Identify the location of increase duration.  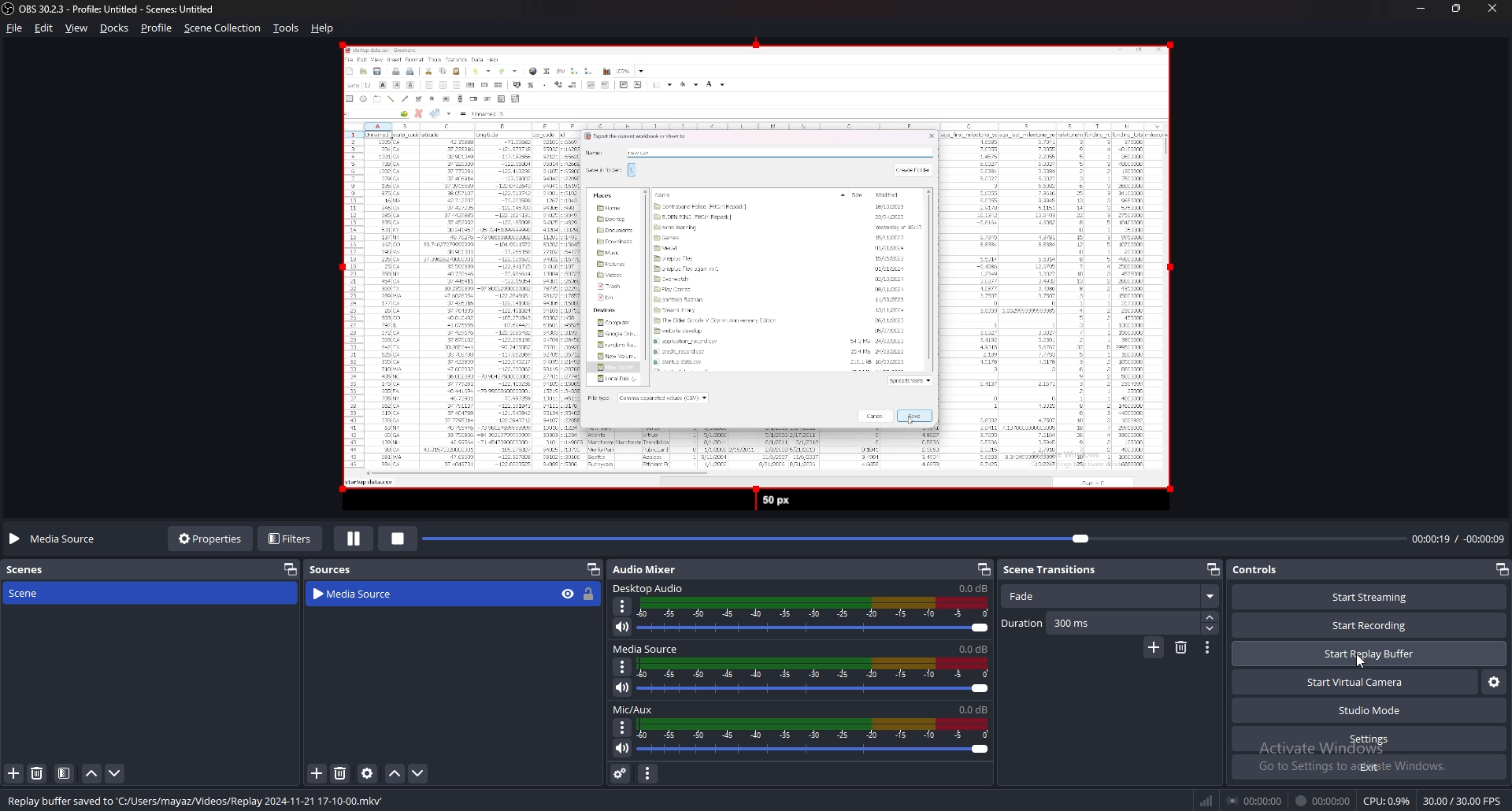
(1212, 617).